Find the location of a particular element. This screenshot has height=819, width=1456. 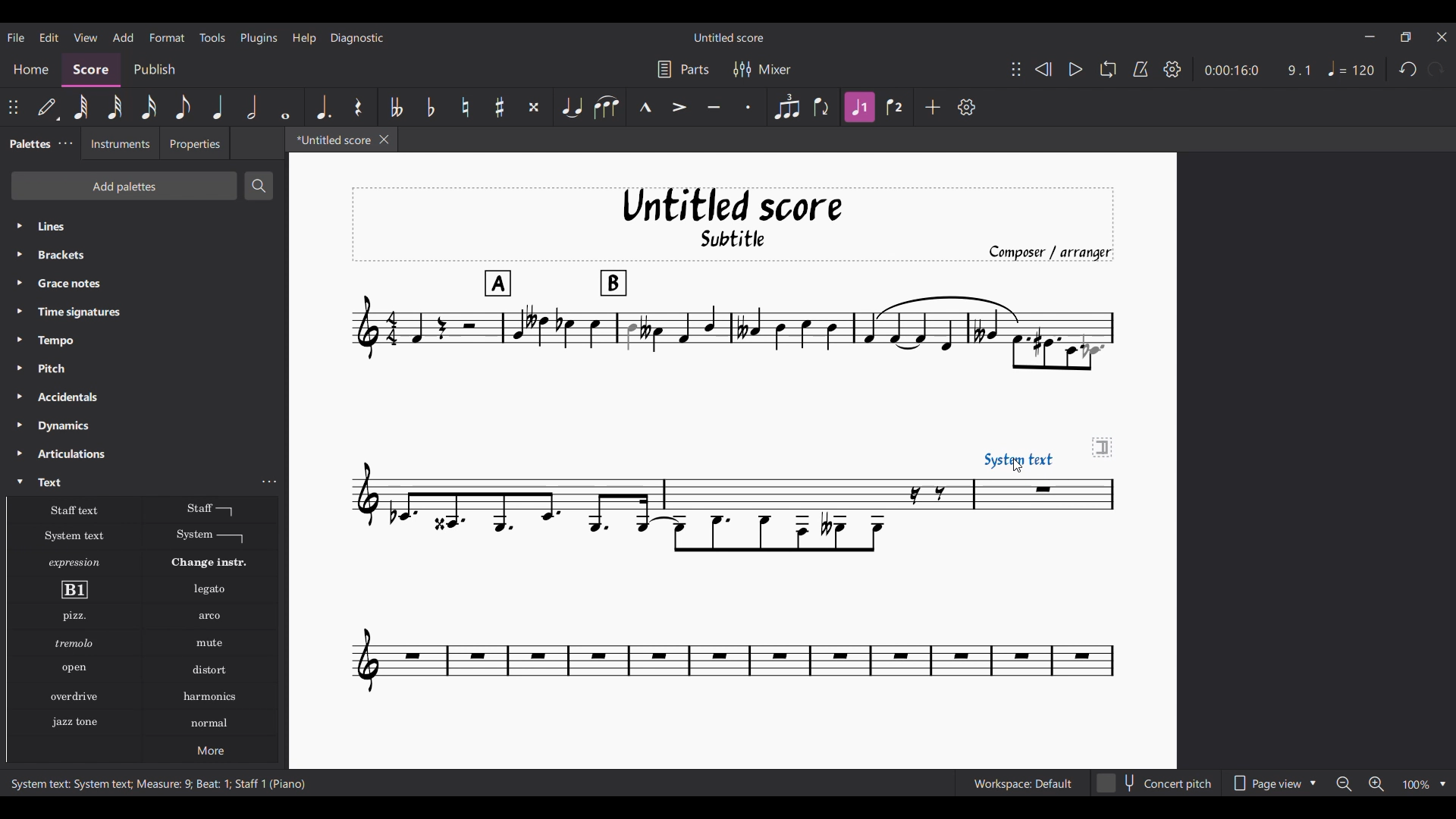

View menu is located at coordinates (86, 38).